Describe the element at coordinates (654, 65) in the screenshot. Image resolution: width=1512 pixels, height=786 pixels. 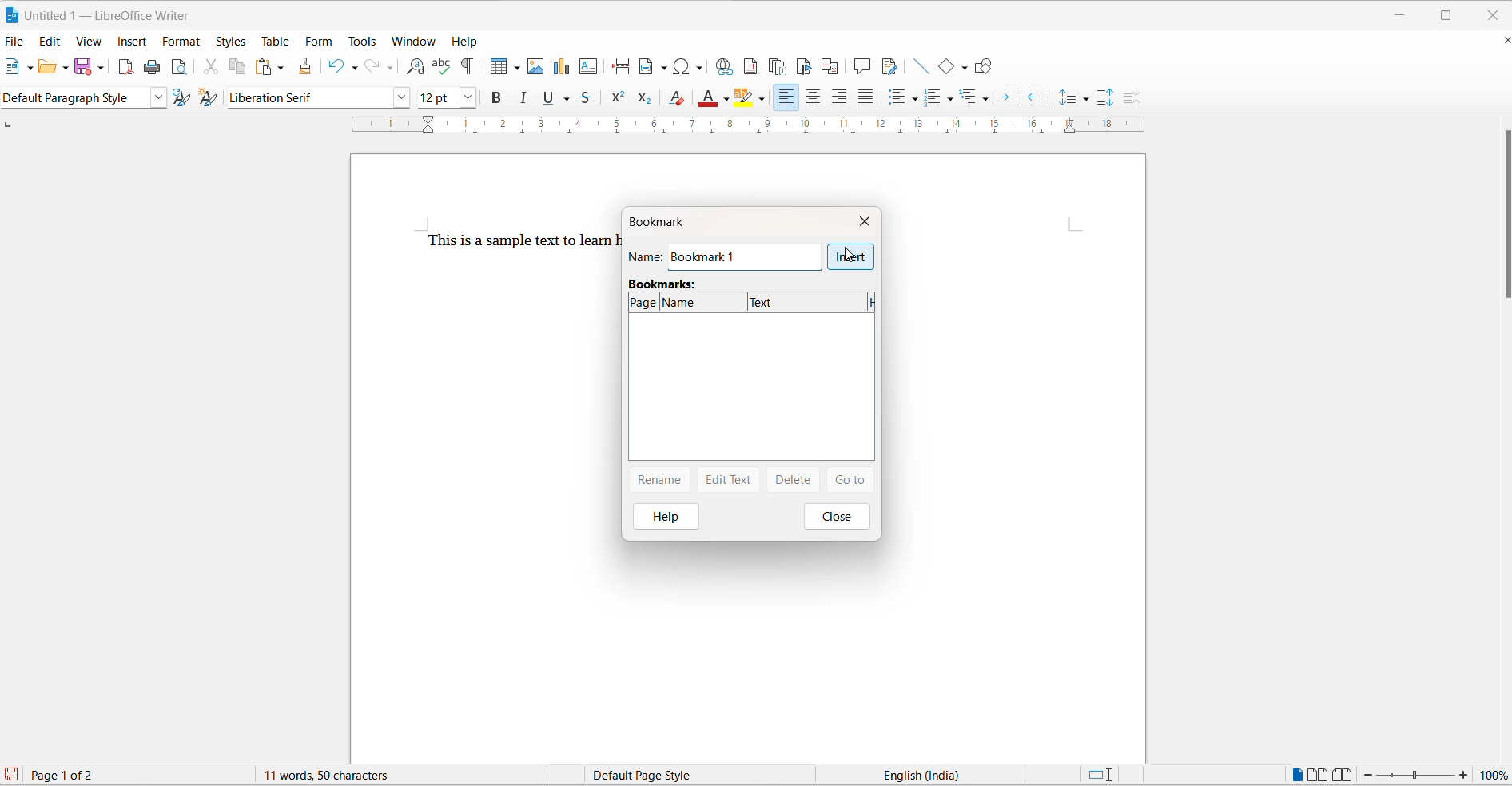
I see `insert field` at that location.